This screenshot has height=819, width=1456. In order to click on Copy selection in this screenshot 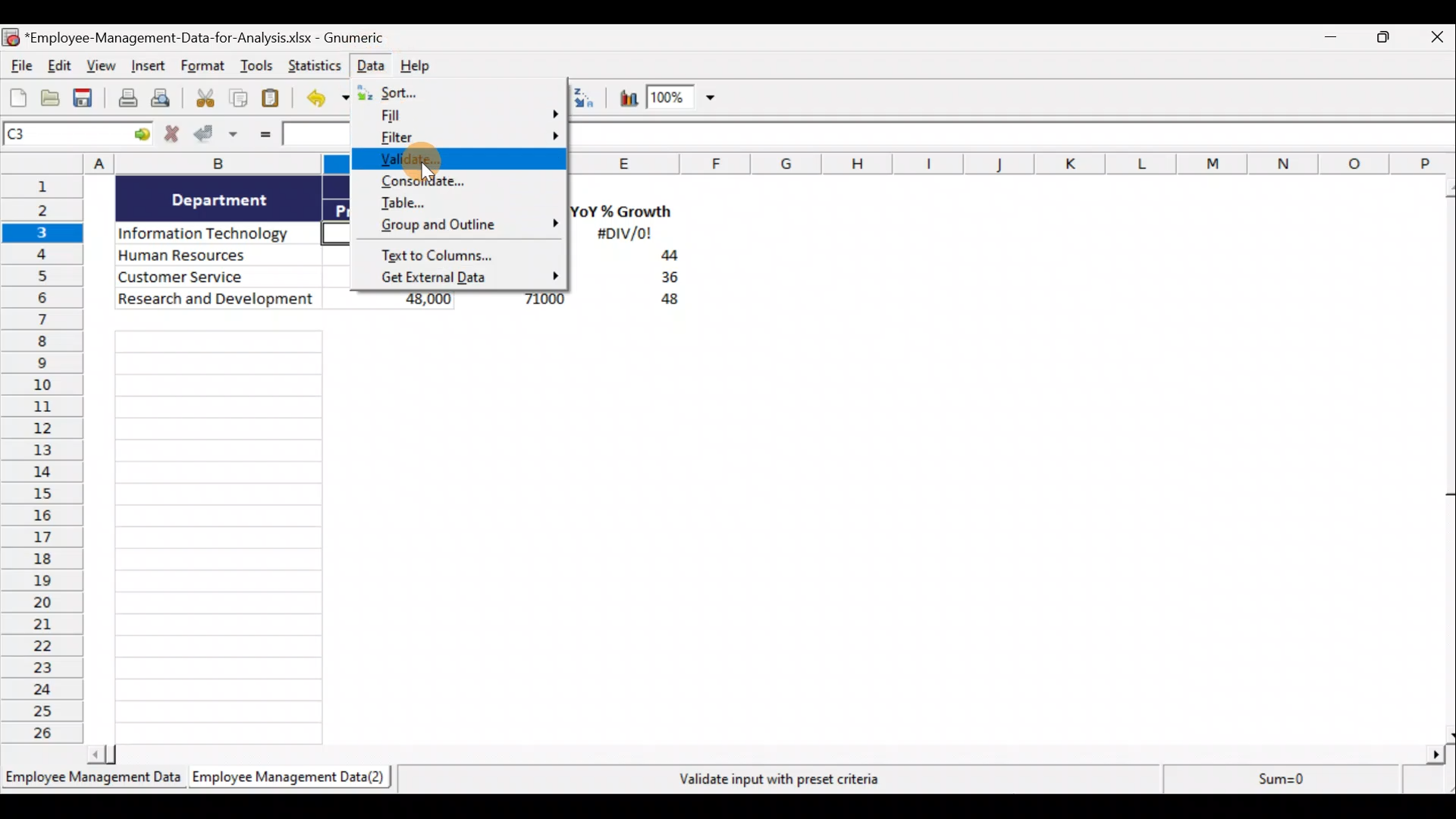, I will do `click(239, 99)`.